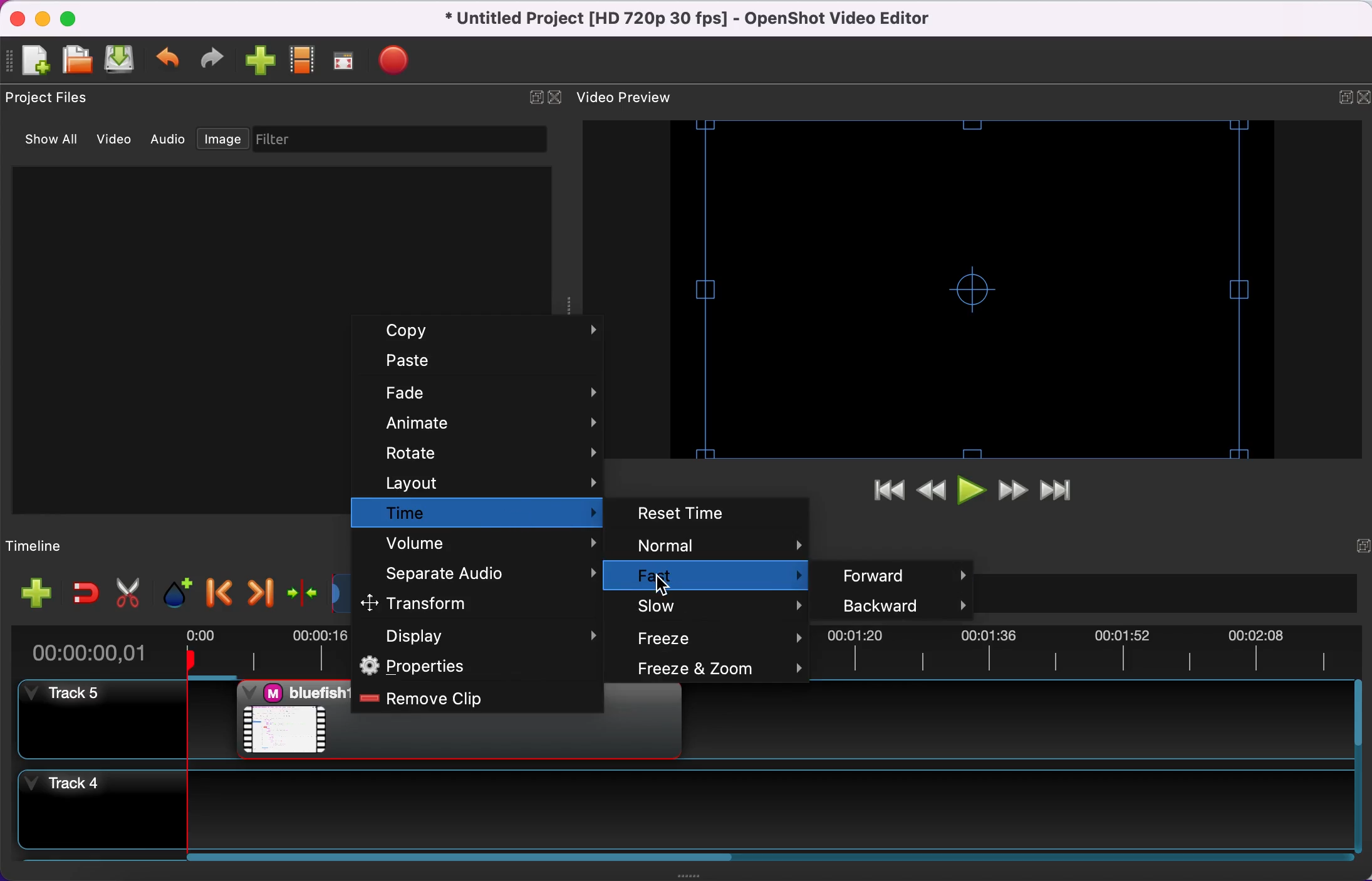  What do you see at coordinates (898, 607) in the screenshot?
I see `backward` at bounding box center [898, 607].